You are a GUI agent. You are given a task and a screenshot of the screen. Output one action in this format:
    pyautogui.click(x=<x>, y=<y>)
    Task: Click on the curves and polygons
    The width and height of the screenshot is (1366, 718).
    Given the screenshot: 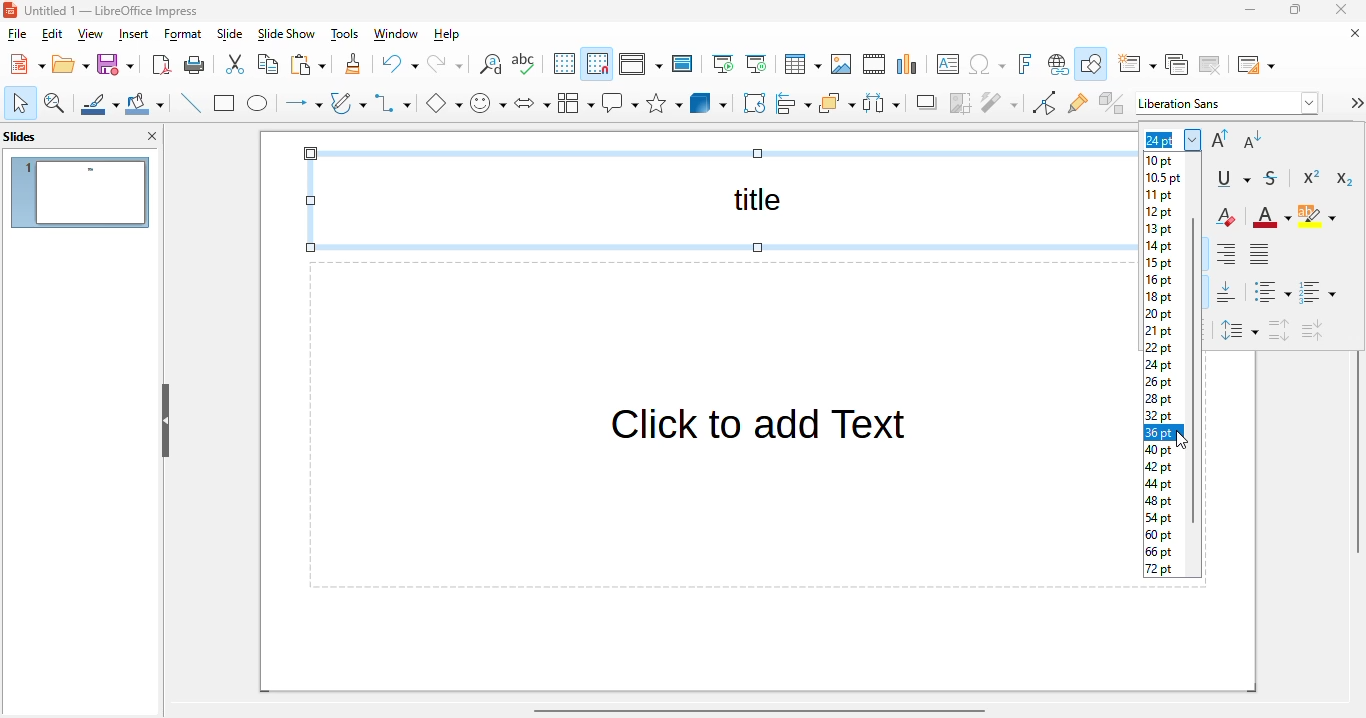 What is the action you would take?
    pyautogui.click(x=348, y=103)
    